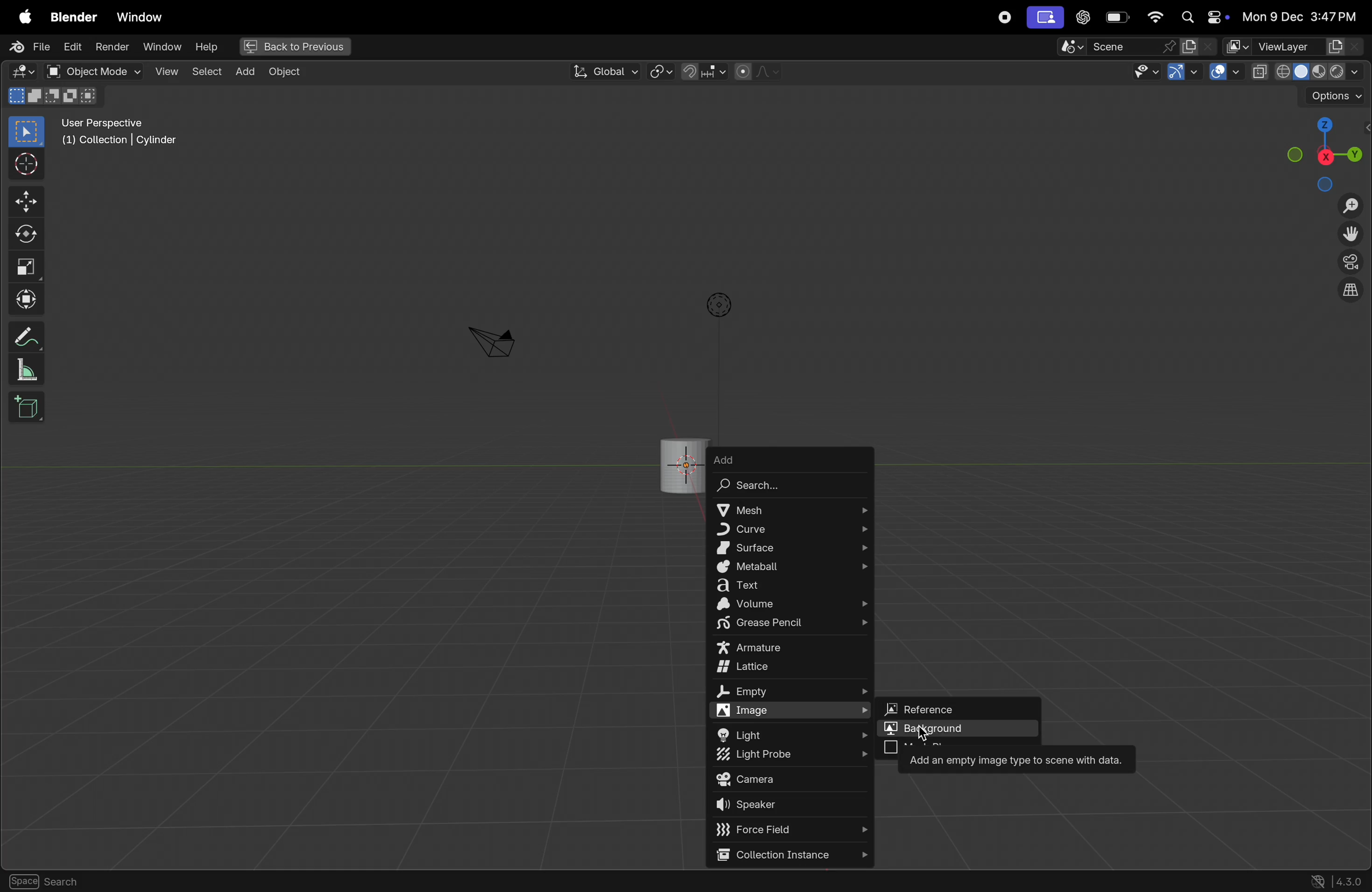 Image resolution: width=1372 pixels, height=892 pixels. Describe the element at coordinates (56, 97) in the screenshot. I see `modes` at that location.